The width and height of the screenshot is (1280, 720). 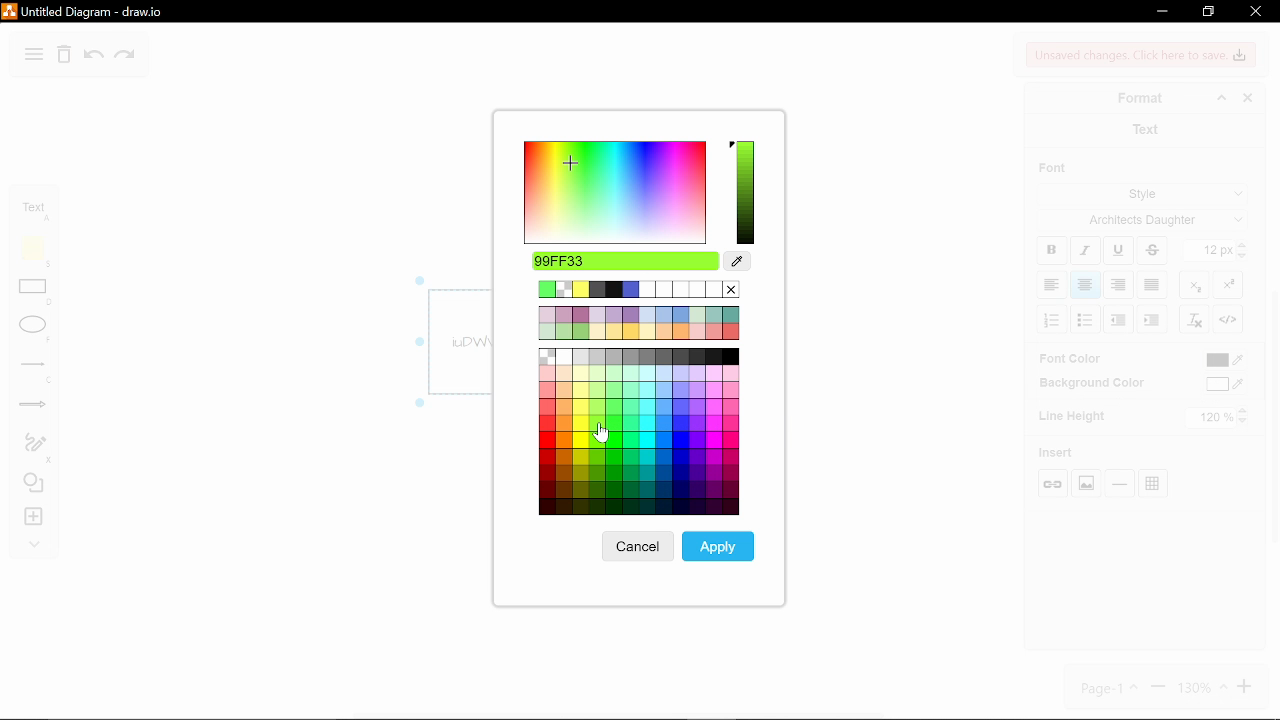 What do you see at coordinates (746, 190) in the screenshot?
I see `selected color spectrum` at bounding box center [746, 190].